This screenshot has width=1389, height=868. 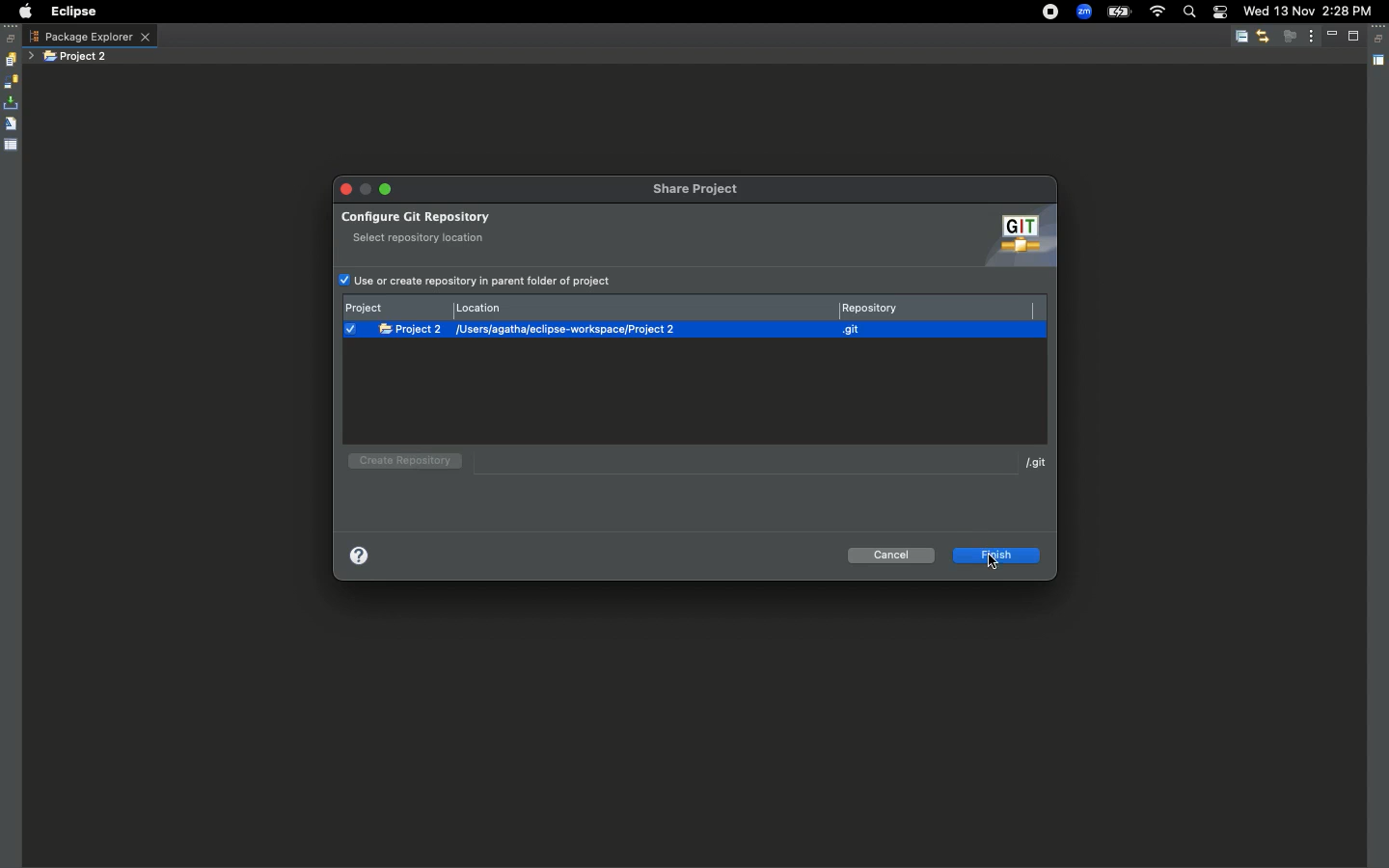 I want to click on insert Address, so click(x=738, y=460).